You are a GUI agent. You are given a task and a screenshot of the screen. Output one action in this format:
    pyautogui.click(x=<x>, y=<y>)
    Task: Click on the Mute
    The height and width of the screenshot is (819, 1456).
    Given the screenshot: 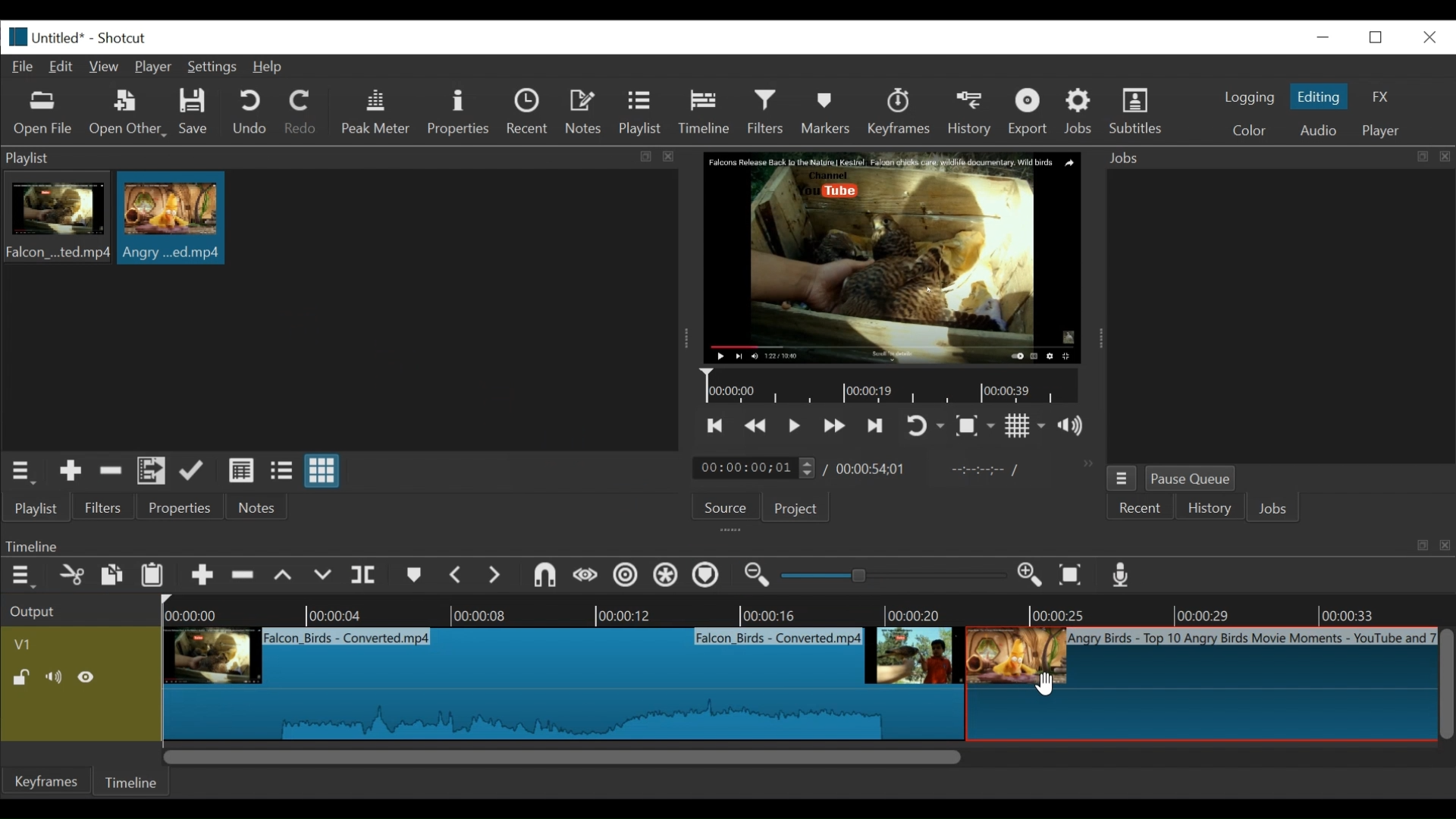 What is the action you would take?
    pyautogui.click(x=57, y=677)
    